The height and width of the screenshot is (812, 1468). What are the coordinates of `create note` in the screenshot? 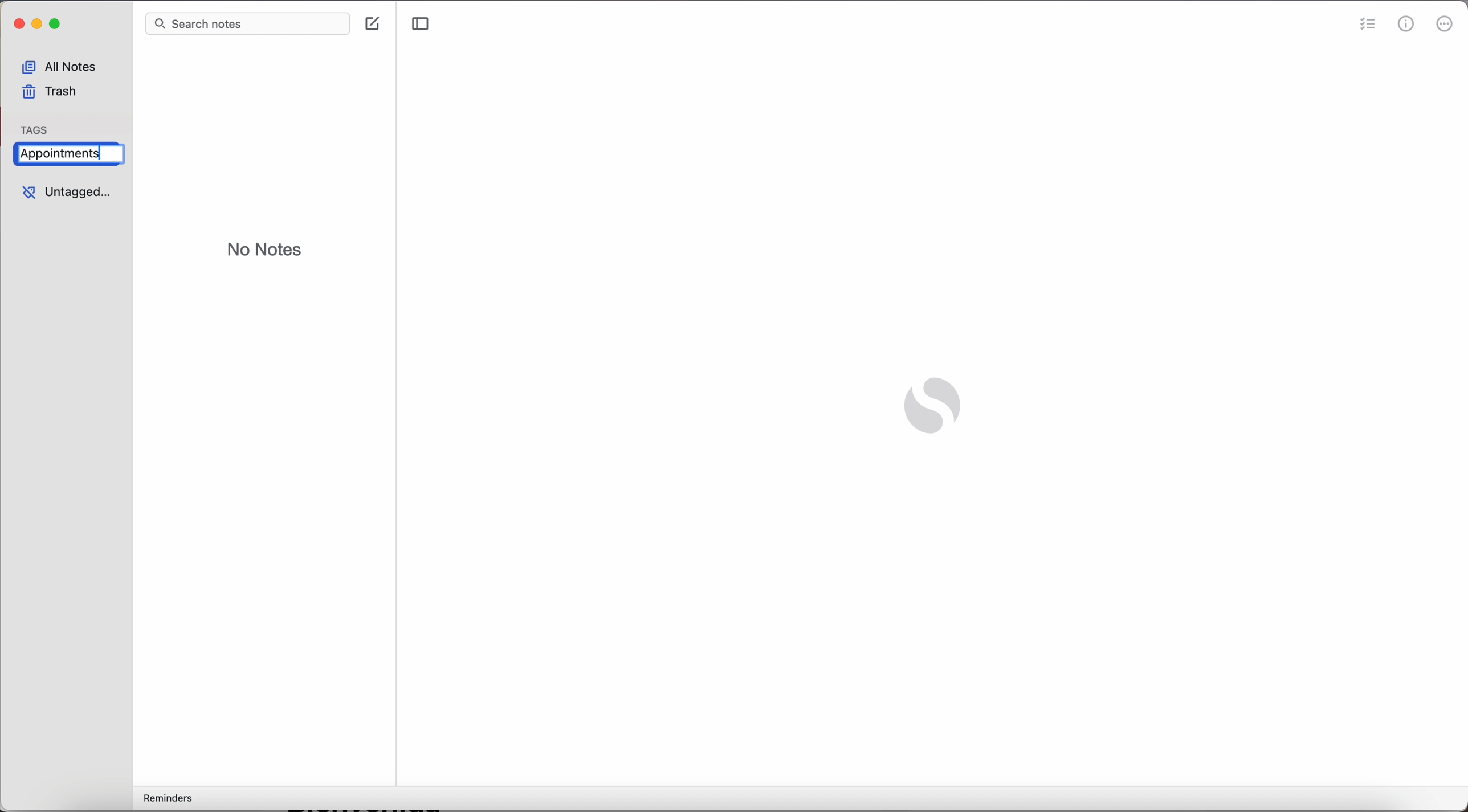 It's located at (374, 24).